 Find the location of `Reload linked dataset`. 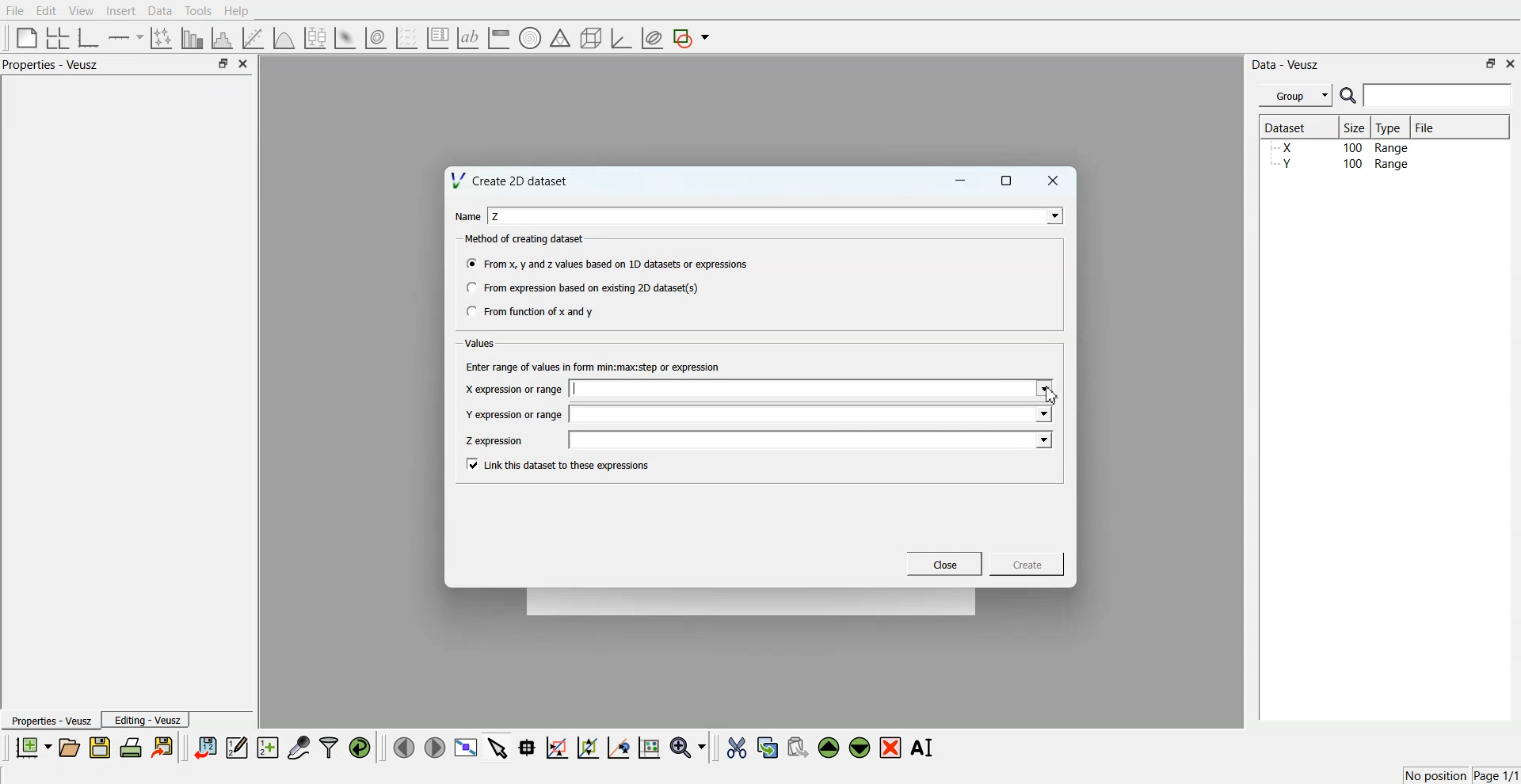

Reload linked dataset is located at coordinates (360, 748).